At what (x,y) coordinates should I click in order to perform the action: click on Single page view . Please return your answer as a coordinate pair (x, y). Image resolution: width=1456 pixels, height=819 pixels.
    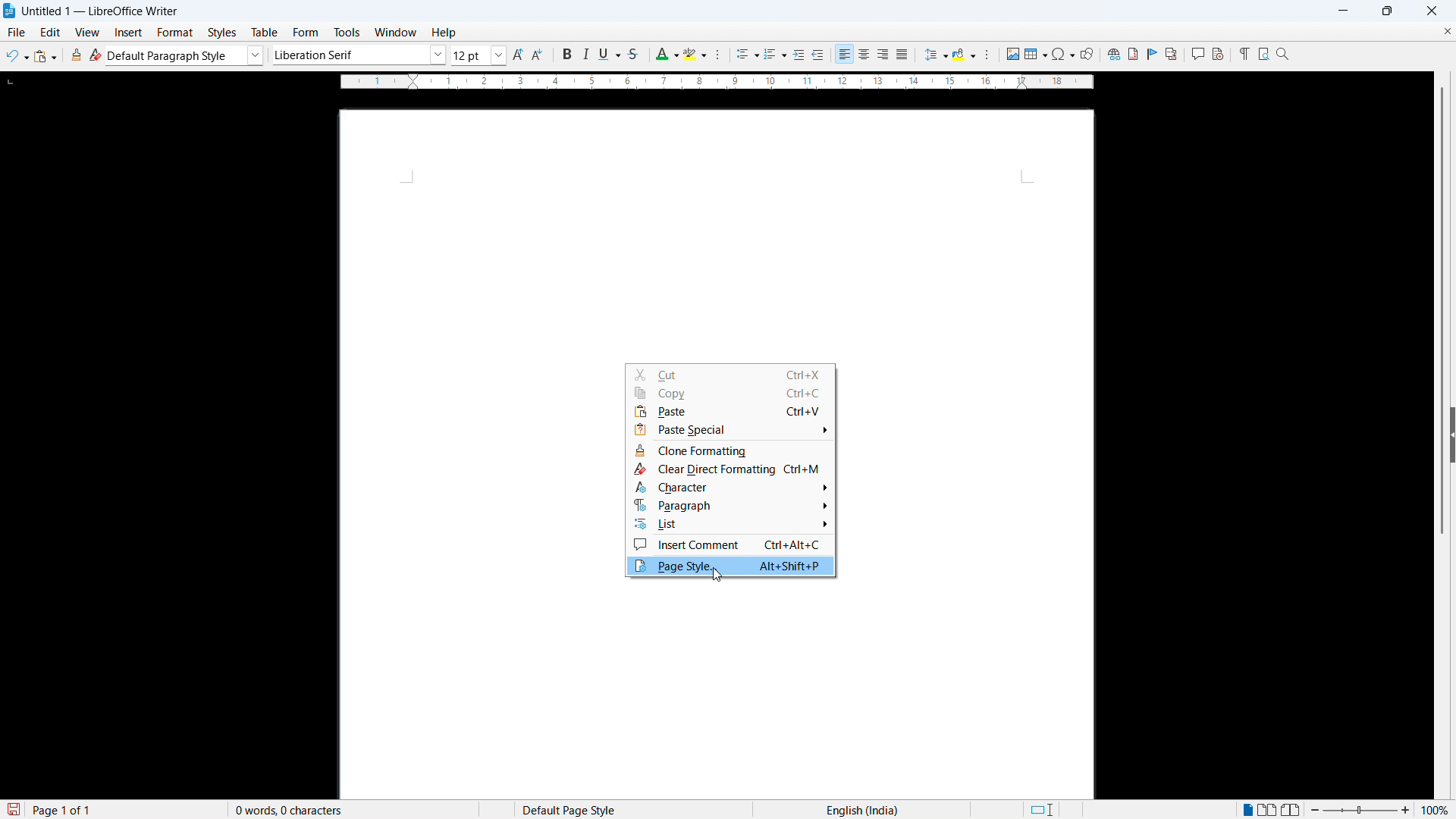
    Looking at the image, I should click on (1249, 808).